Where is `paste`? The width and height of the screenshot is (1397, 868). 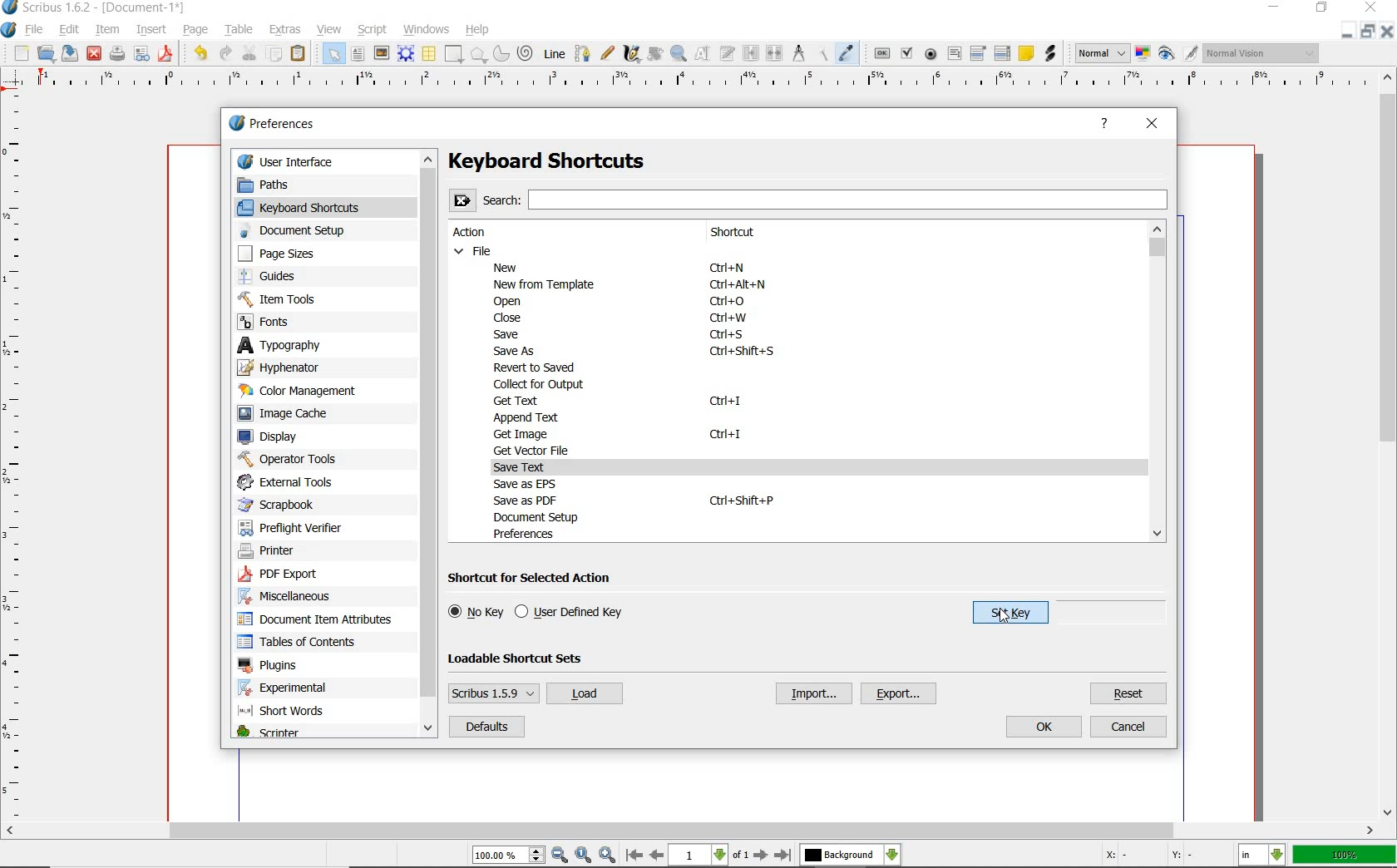 paste is located at coordinates (300, 55).